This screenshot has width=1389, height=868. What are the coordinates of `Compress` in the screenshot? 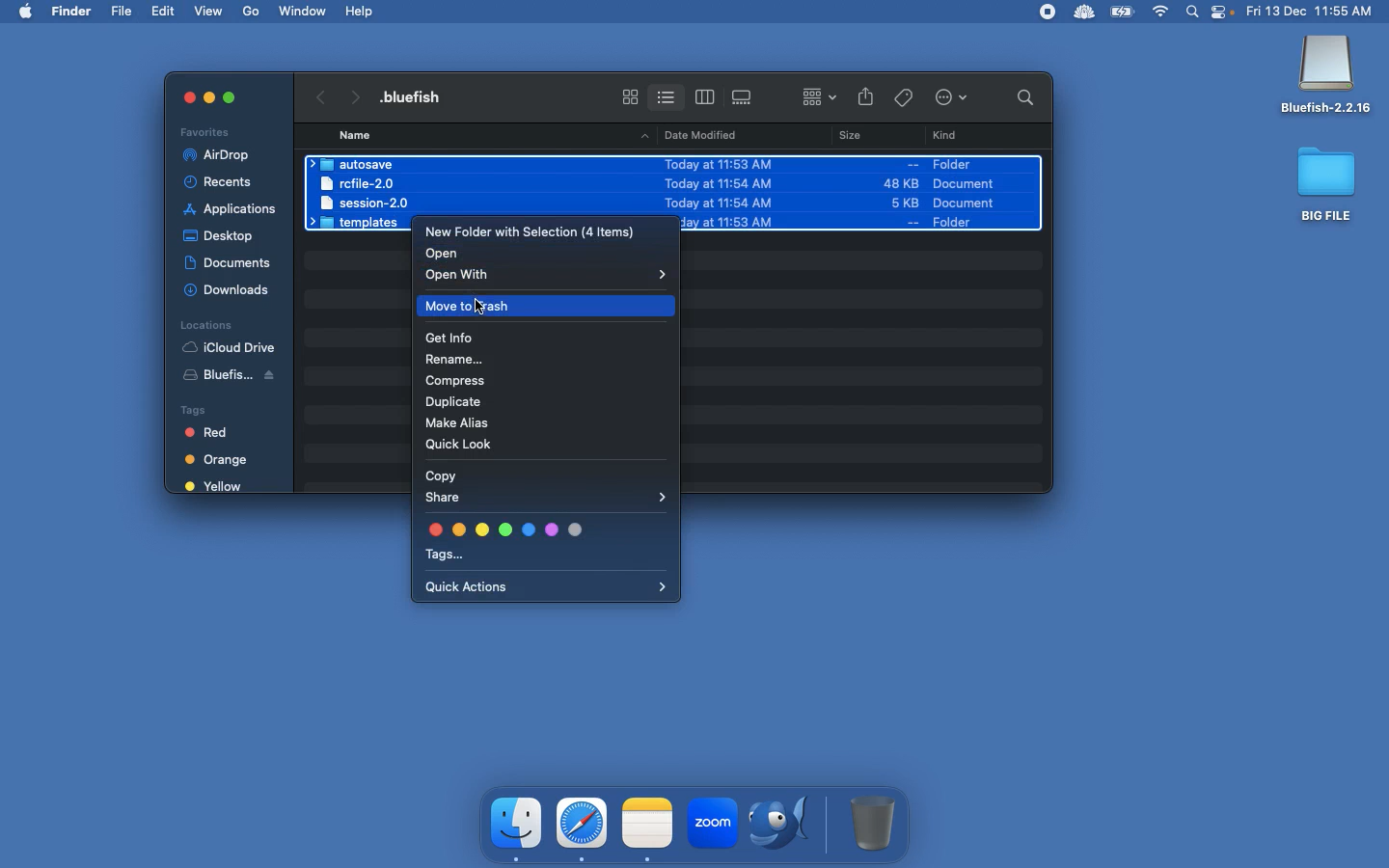 It's located at (458, 382).